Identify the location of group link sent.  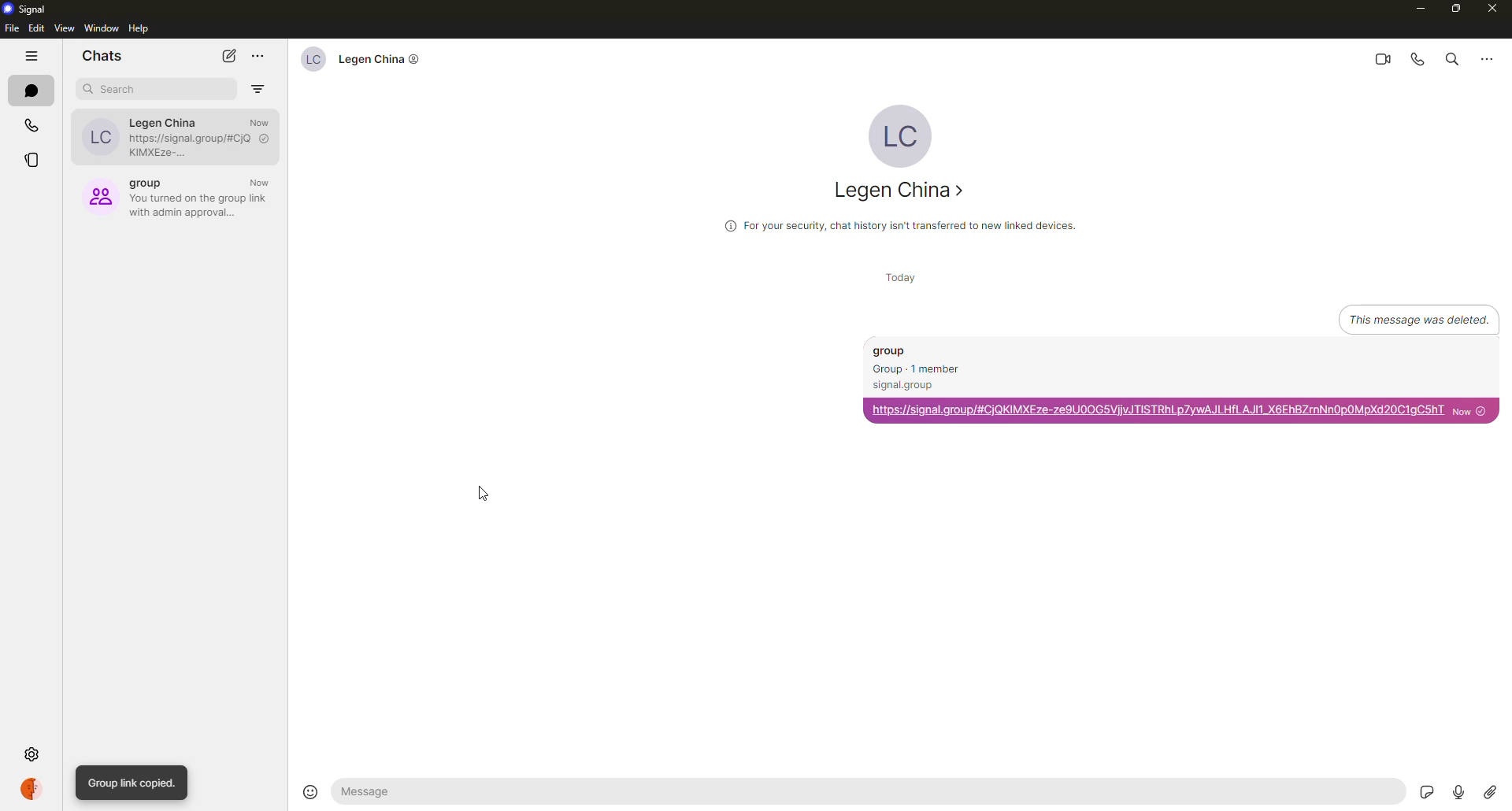
(1181, 380).